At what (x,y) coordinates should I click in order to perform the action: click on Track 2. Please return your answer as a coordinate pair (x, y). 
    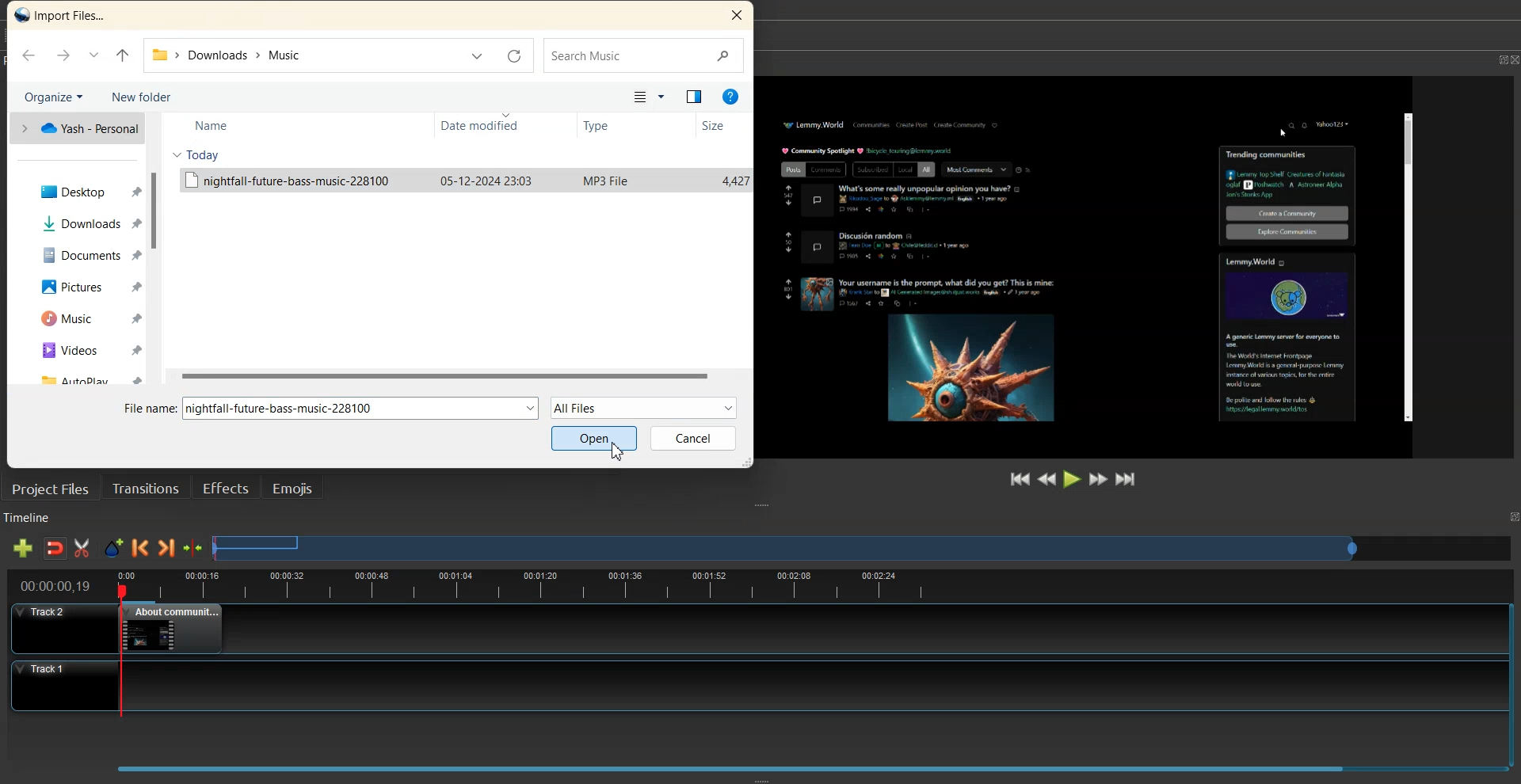
    Looking at the image, I should click on (817, 691).